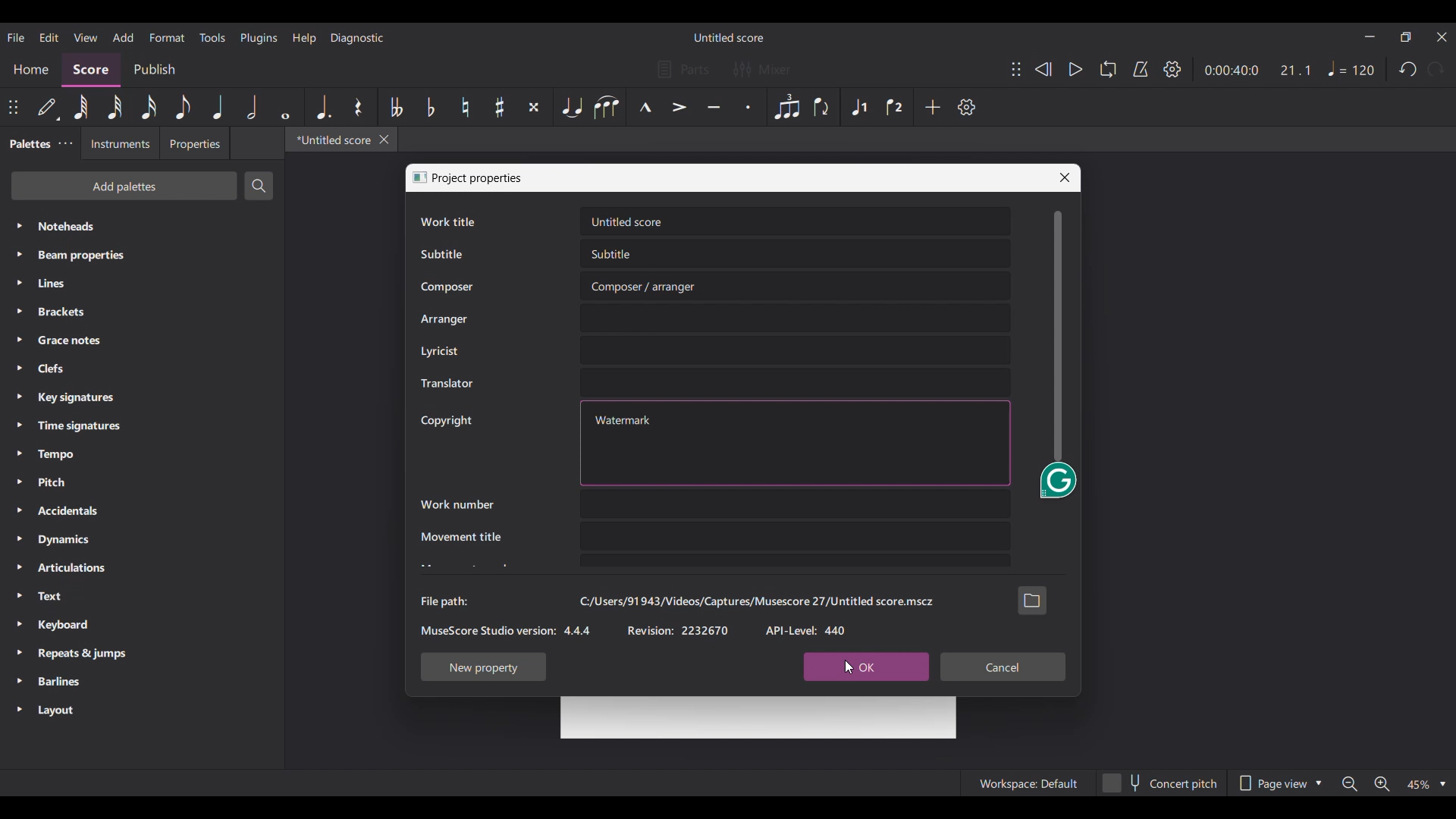 Image resolution: width=1456 pixels, height=819 pixels. Describe the element at coordinates (149, 107) in the screenshot. I see `16th note` at that location.